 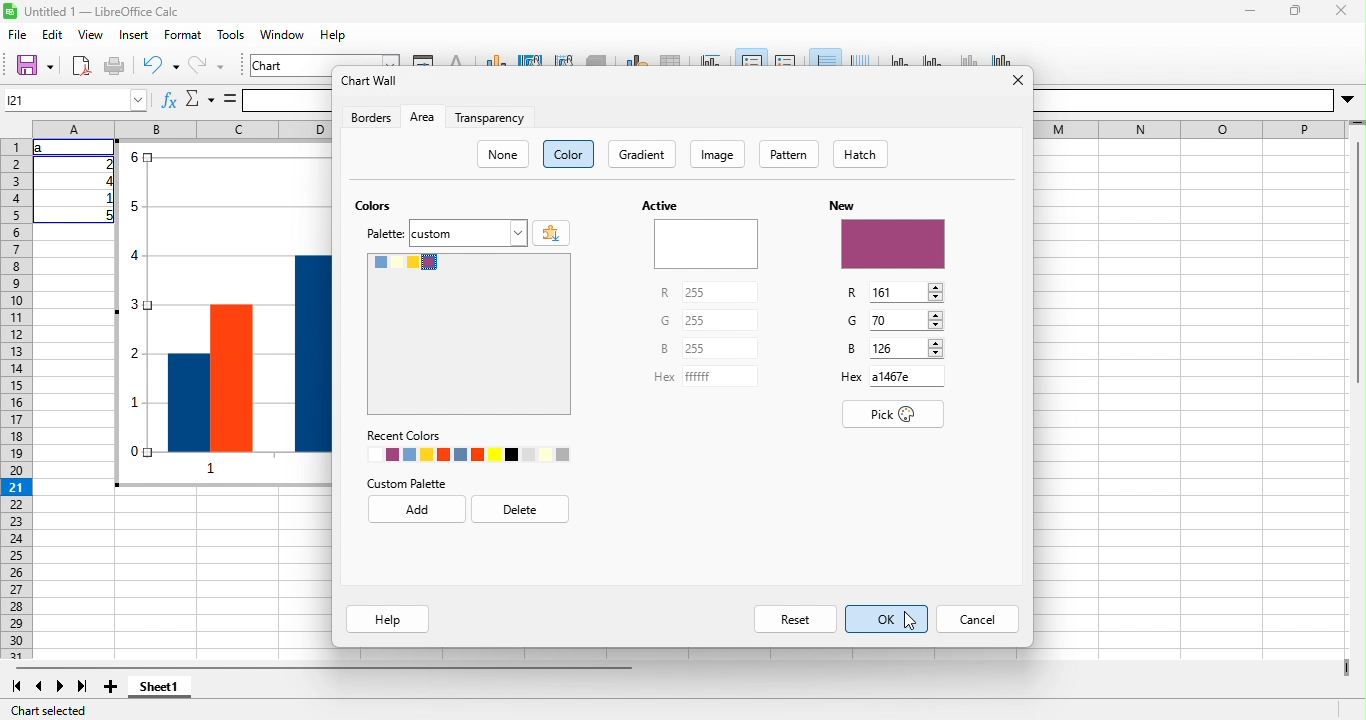 I want to click on chart selected, so click(x=48, y=711).